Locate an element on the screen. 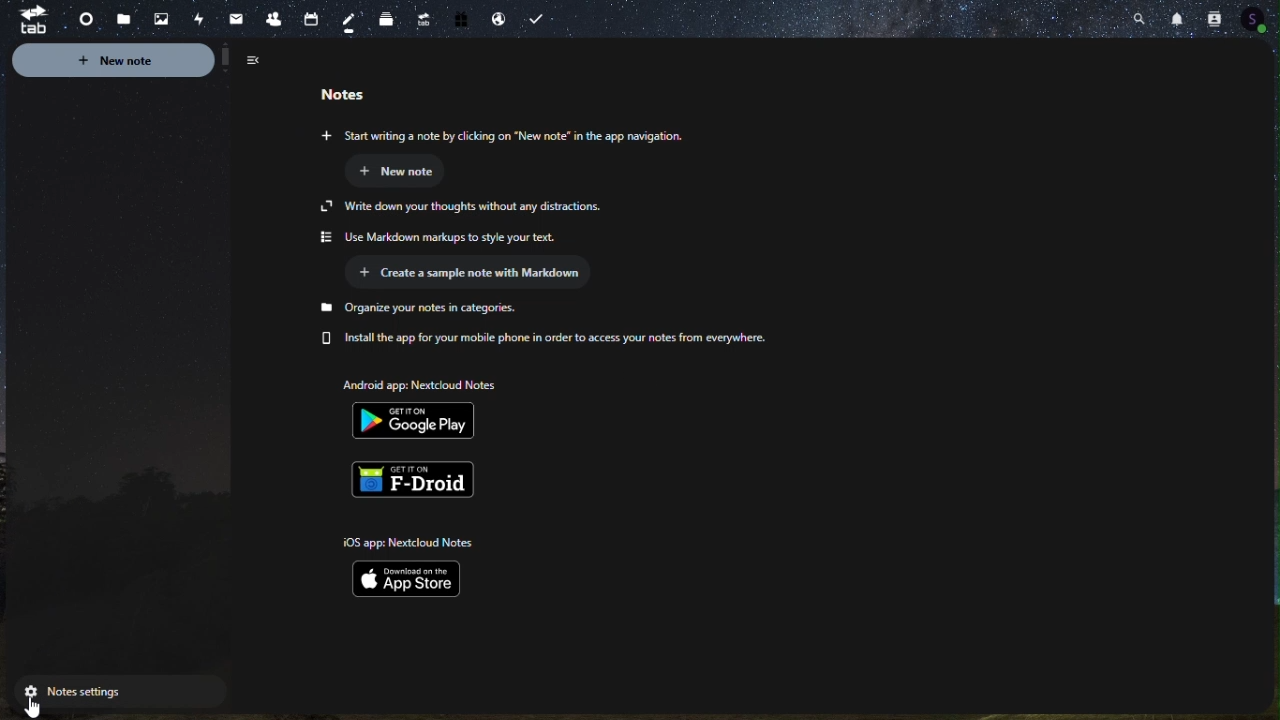 The width and height of the screenshot is (1280, 720). Contacts is located at coordinates (271, 16).